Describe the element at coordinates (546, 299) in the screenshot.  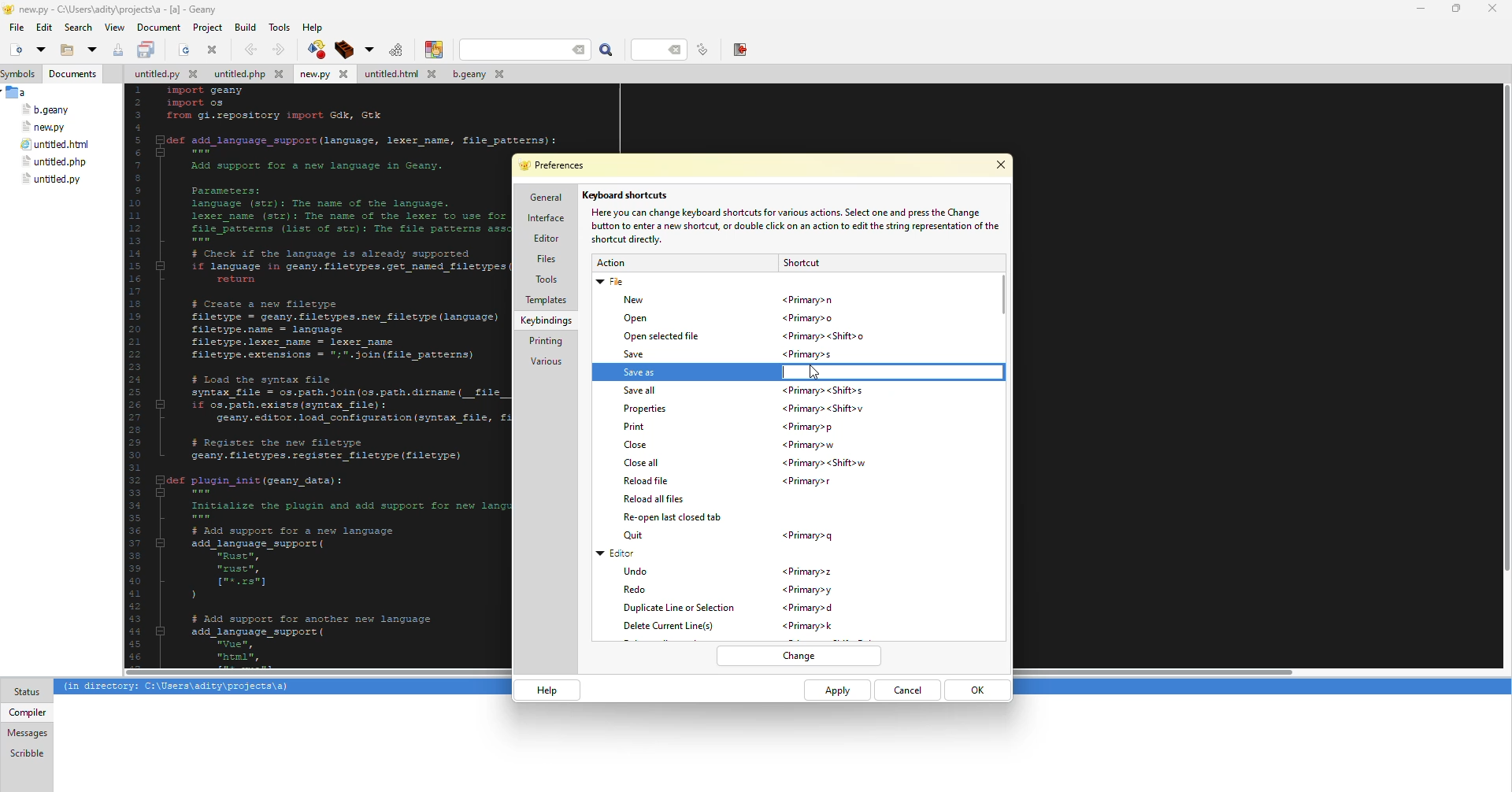
I see `templates` at that location.